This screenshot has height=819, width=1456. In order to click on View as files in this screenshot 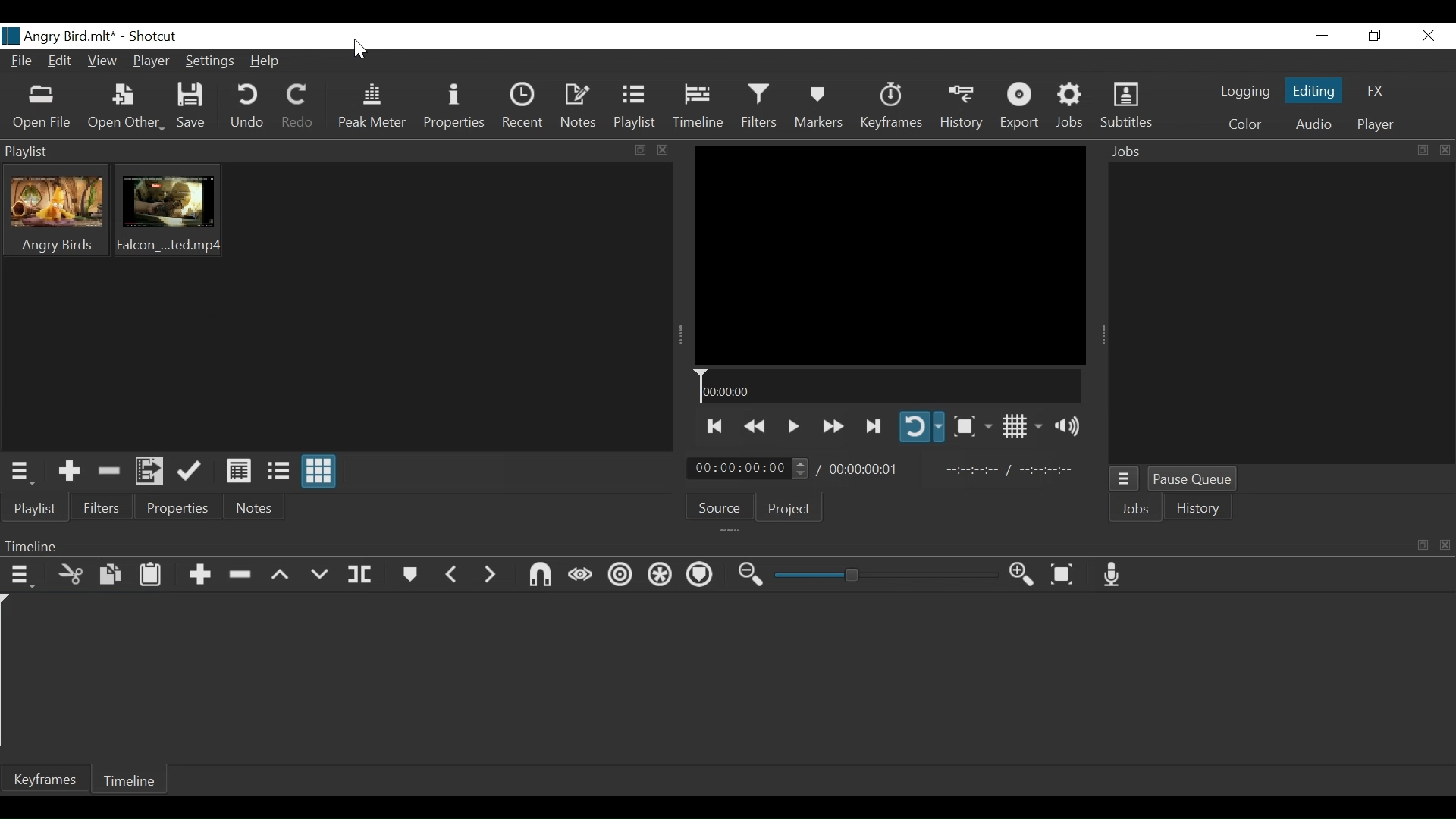, I will do `click(279, 472)`.